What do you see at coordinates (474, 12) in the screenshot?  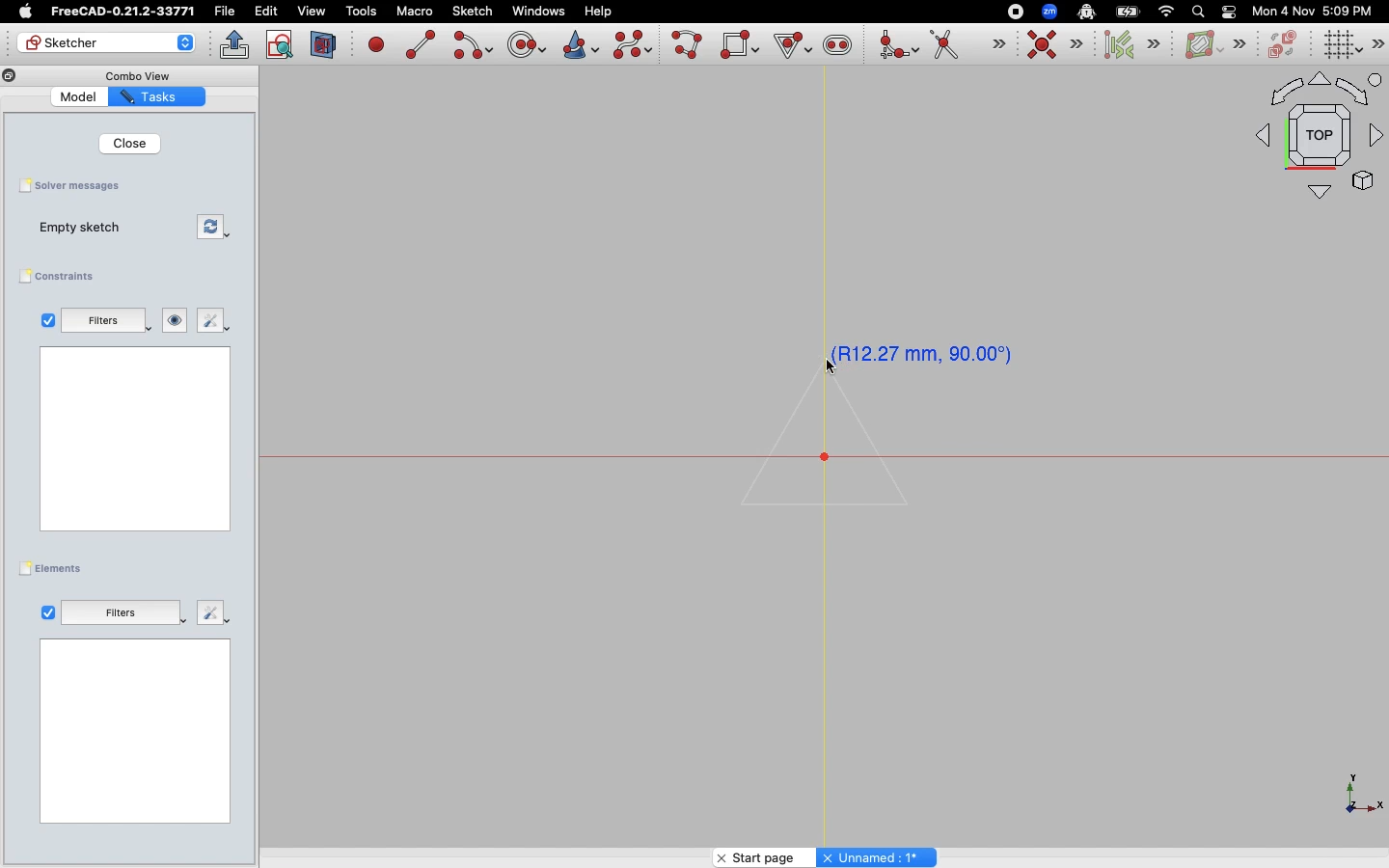 I see `Sketch` at bounding box center [474, 12].